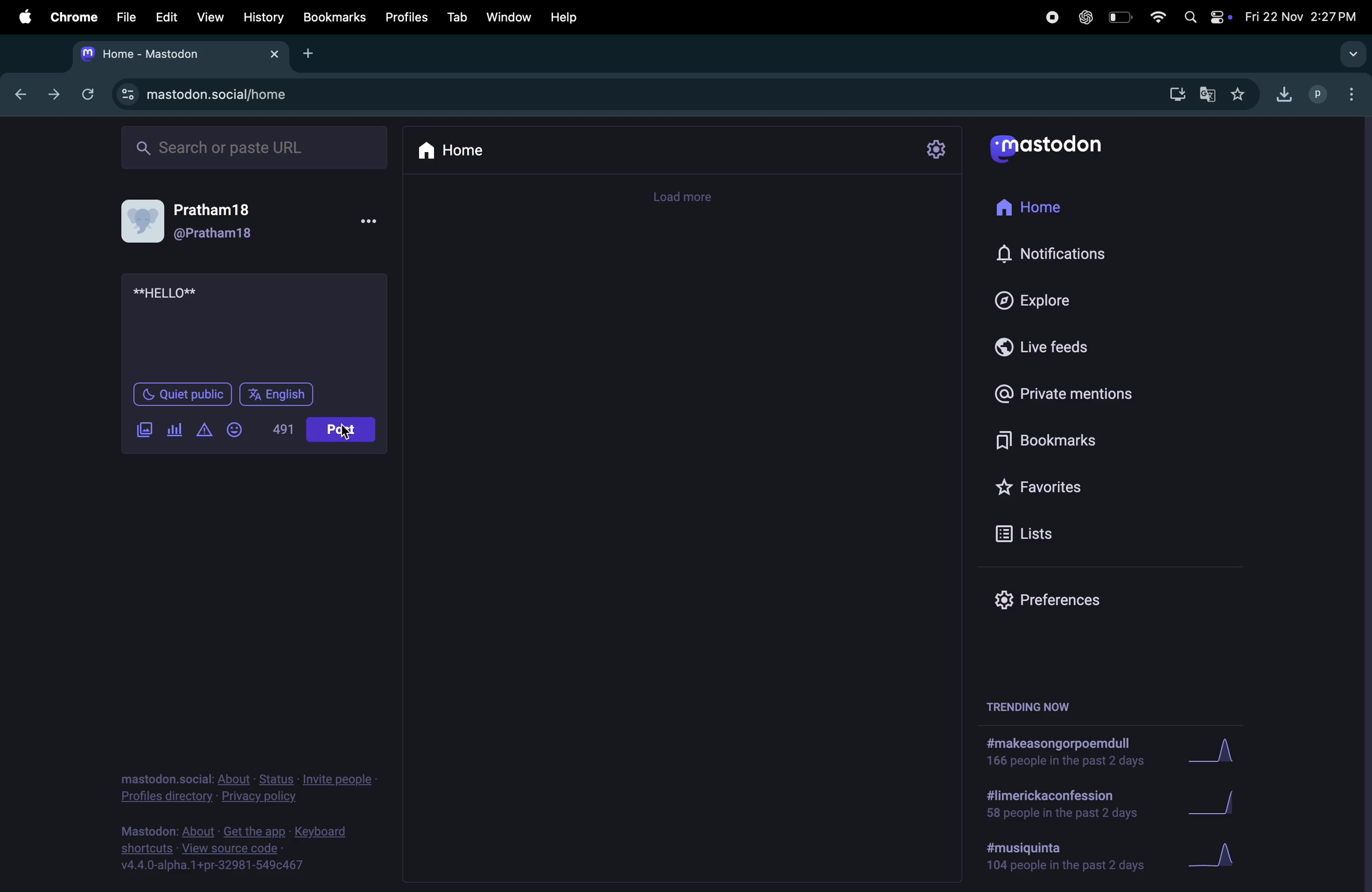 This screenshot has width=1372, height=892. Describe the element at coordinates (338, 429) in the screenshot. I see `posts` at that location.